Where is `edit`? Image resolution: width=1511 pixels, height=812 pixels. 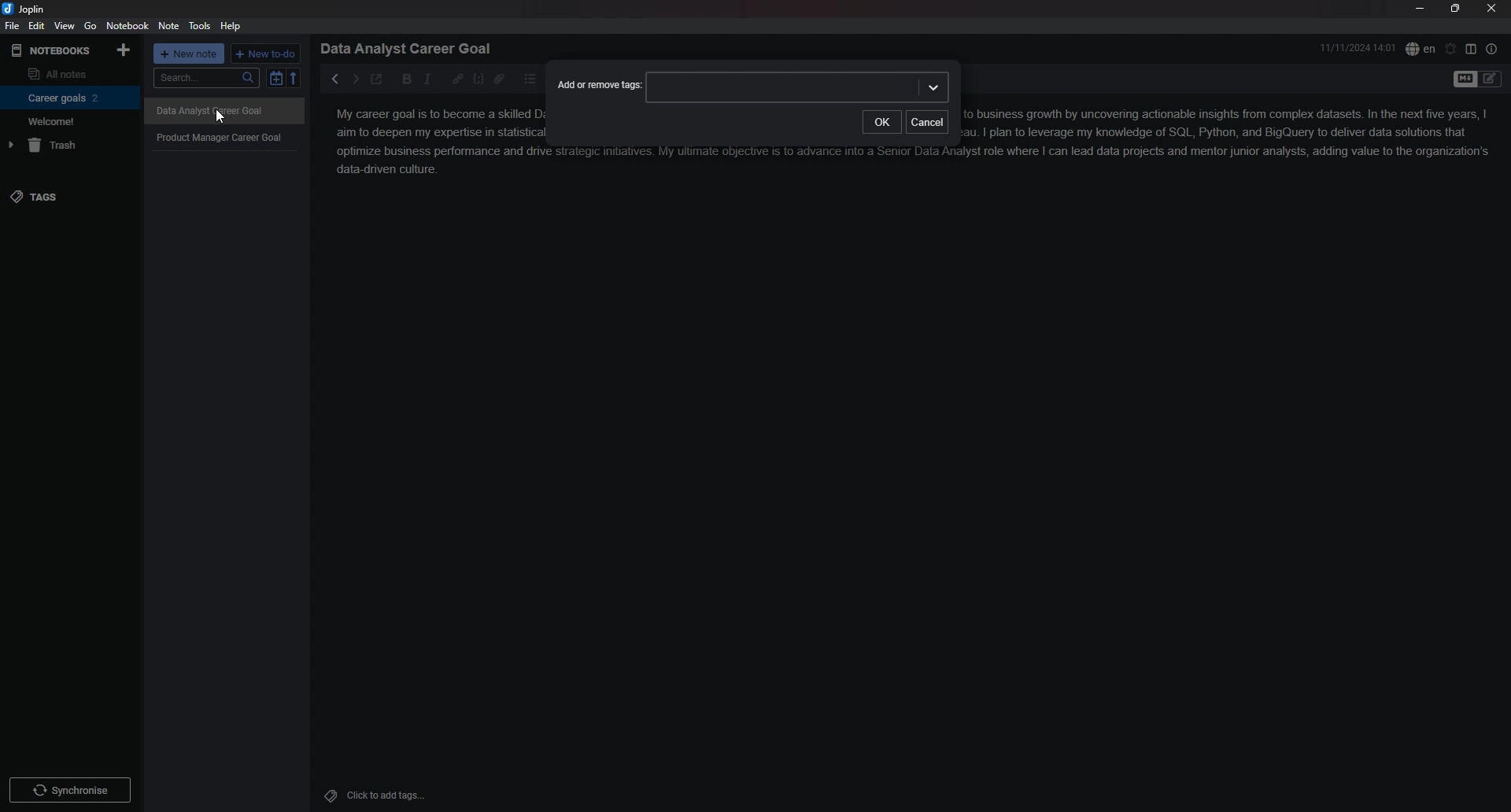 edit is located at coordinates (38, 25).